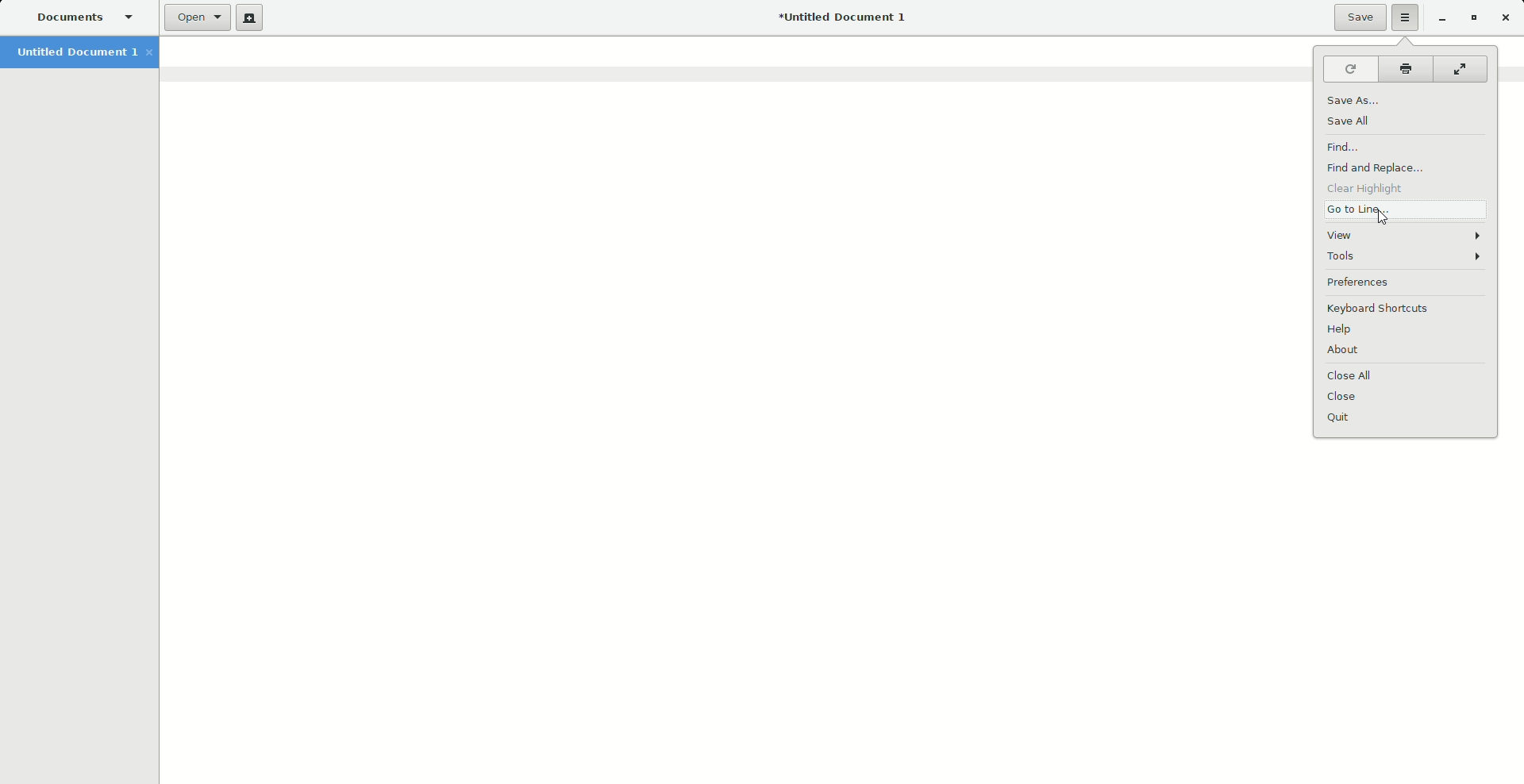 The height and width of the screenshot is (784, 1524). I want to click on About, so click(1351, 353).